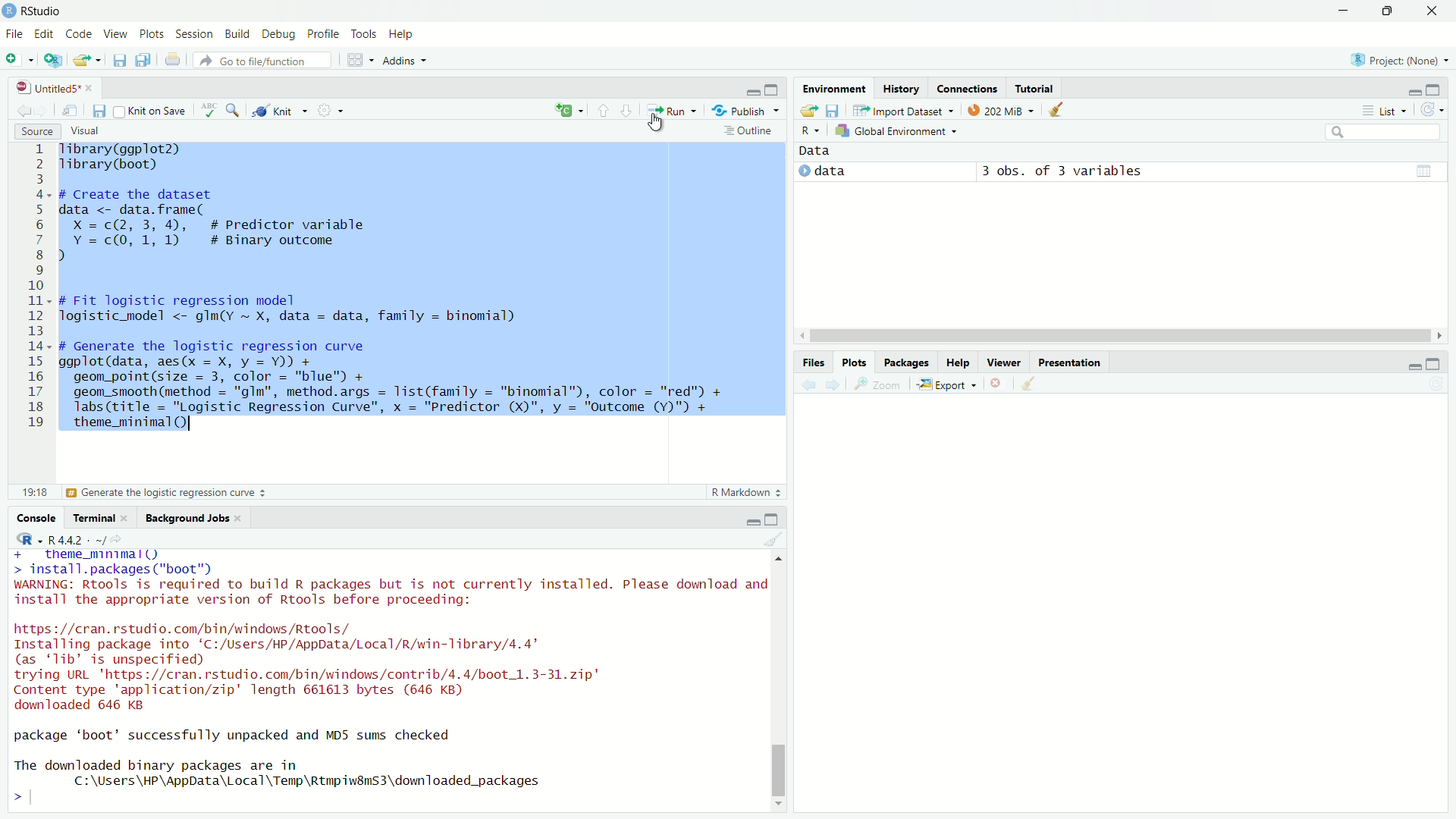  I want to click on Clear all plots, so click(1030, 383).